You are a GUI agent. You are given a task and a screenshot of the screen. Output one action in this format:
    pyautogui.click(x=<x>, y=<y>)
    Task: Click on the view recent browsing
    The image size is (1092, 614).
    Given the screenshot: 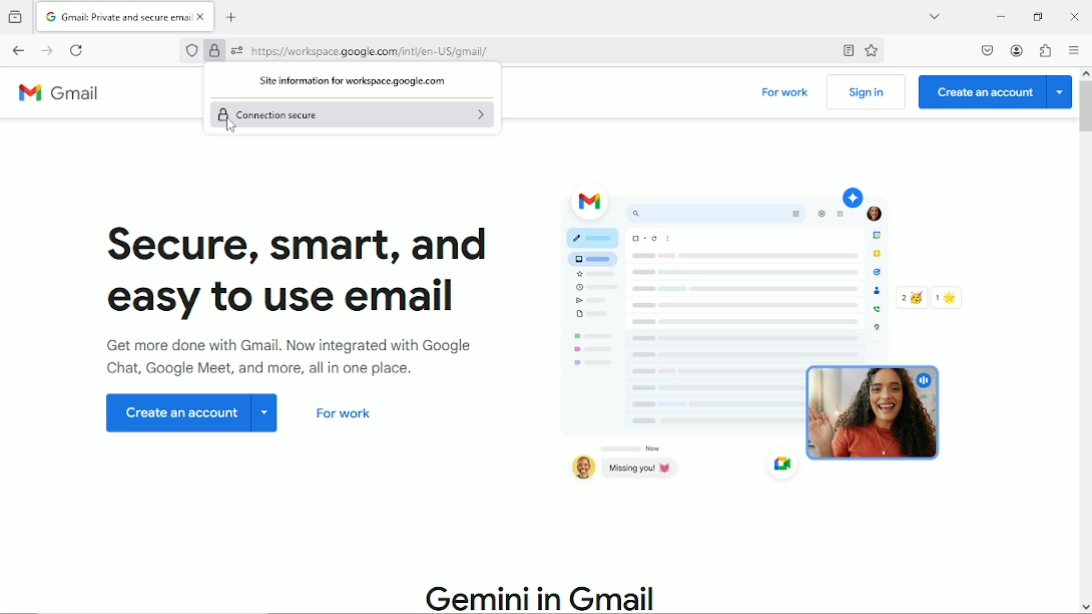 What is the action you would take?
    pyautogui.click(x=19, y=15)
    